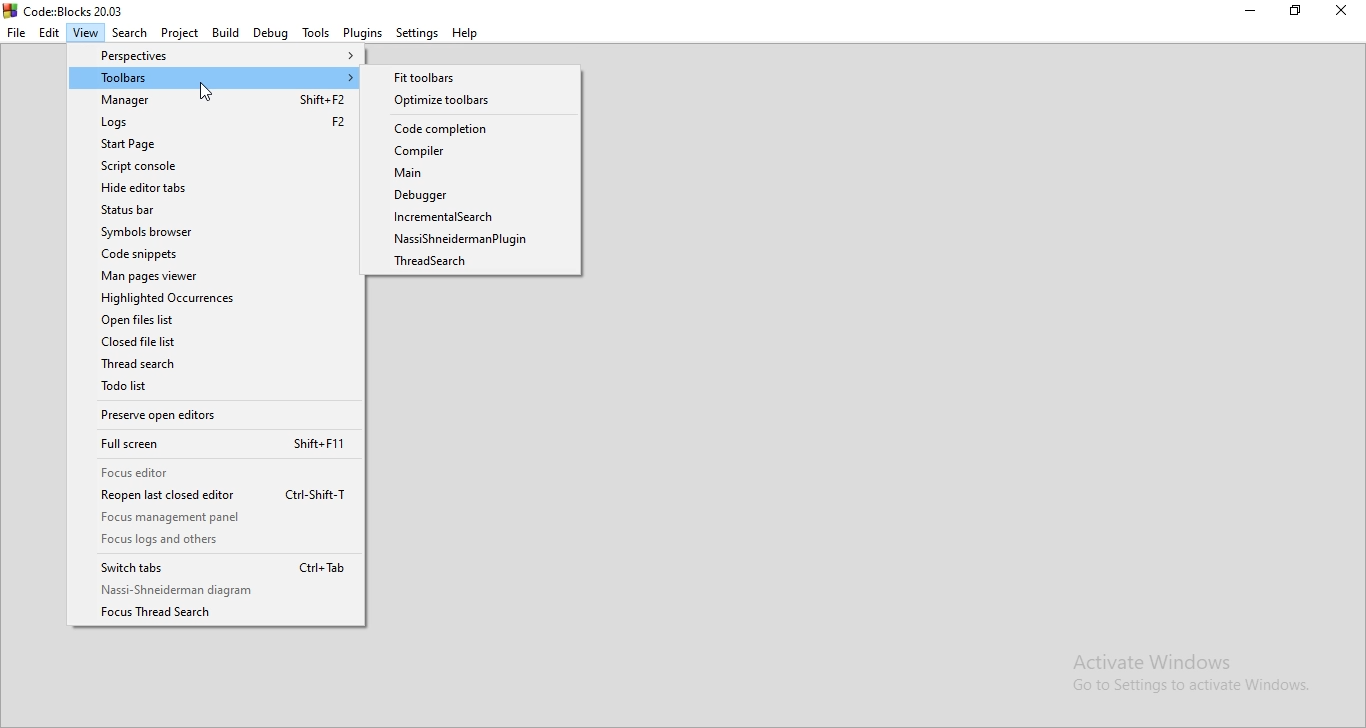  I want to click on Fittoolbars, so click(469, 76).